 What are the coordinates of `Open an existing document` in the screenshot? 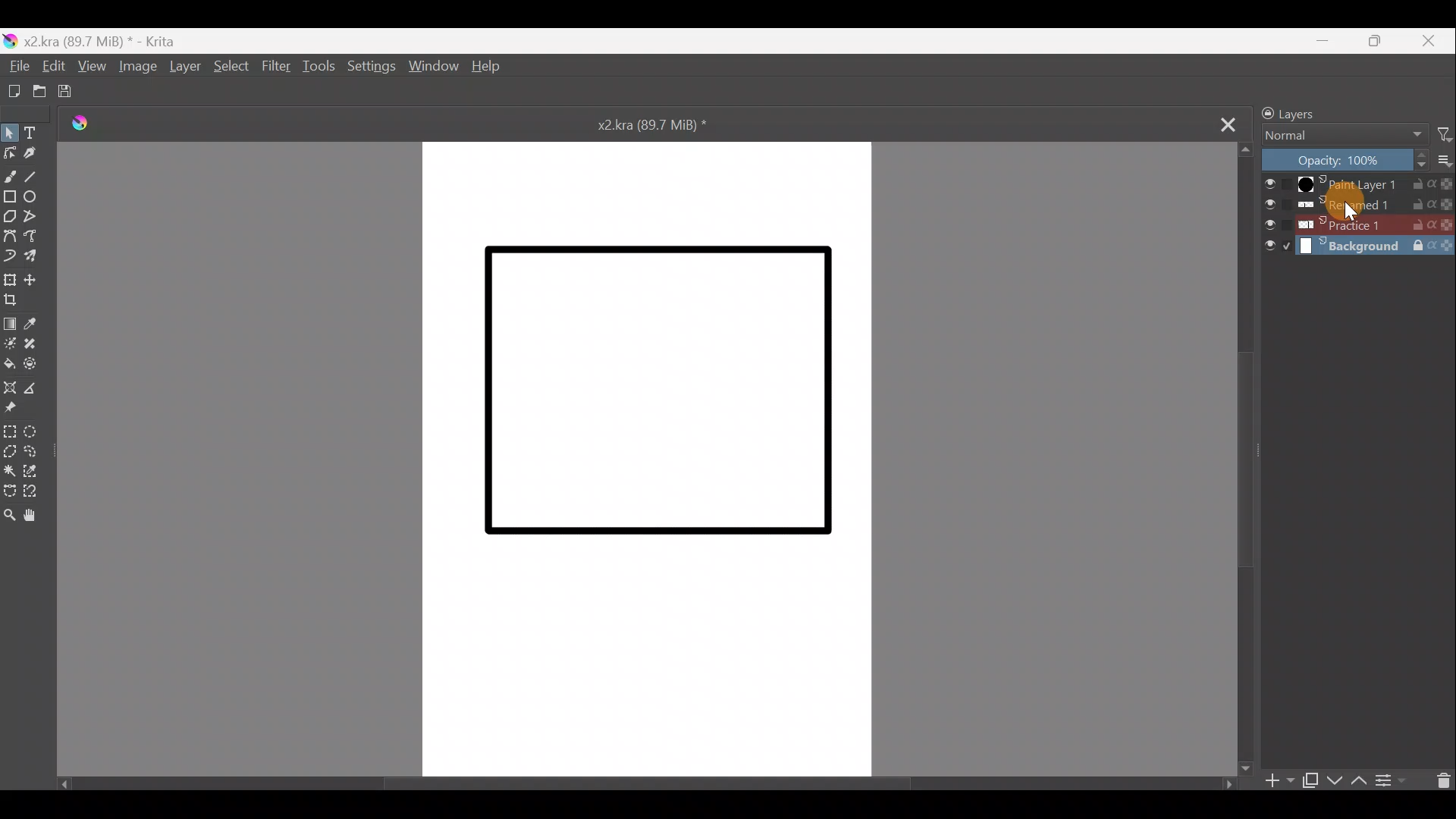 It's located at (38, 91).